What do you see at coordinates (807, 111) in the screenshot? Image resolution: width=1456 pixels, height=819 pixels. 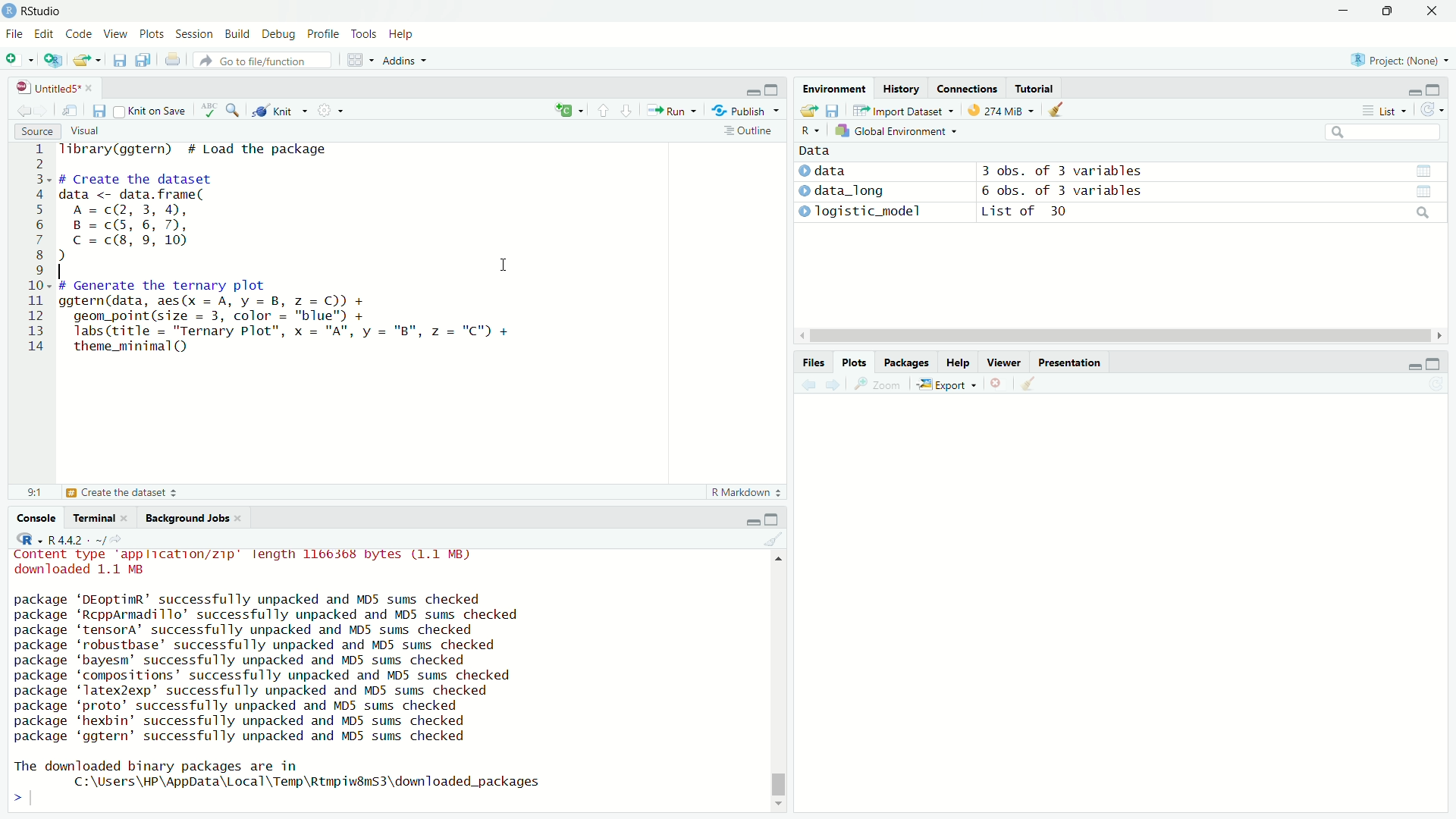 I see `export` at bounding box center [807, 111].